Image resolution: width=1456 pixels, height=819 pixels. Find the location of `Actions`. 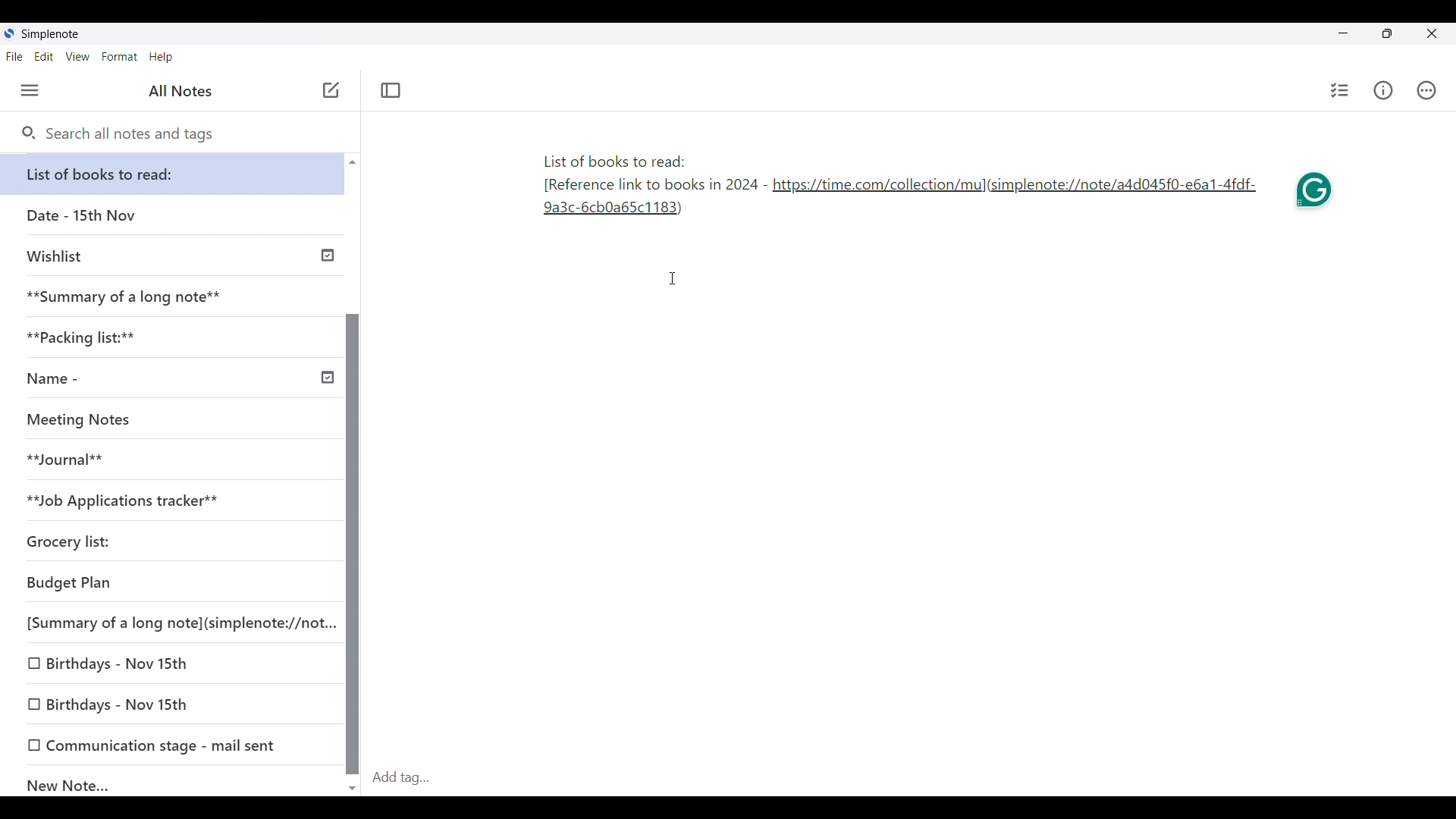

Actions is located at coordinates (1426, 90).